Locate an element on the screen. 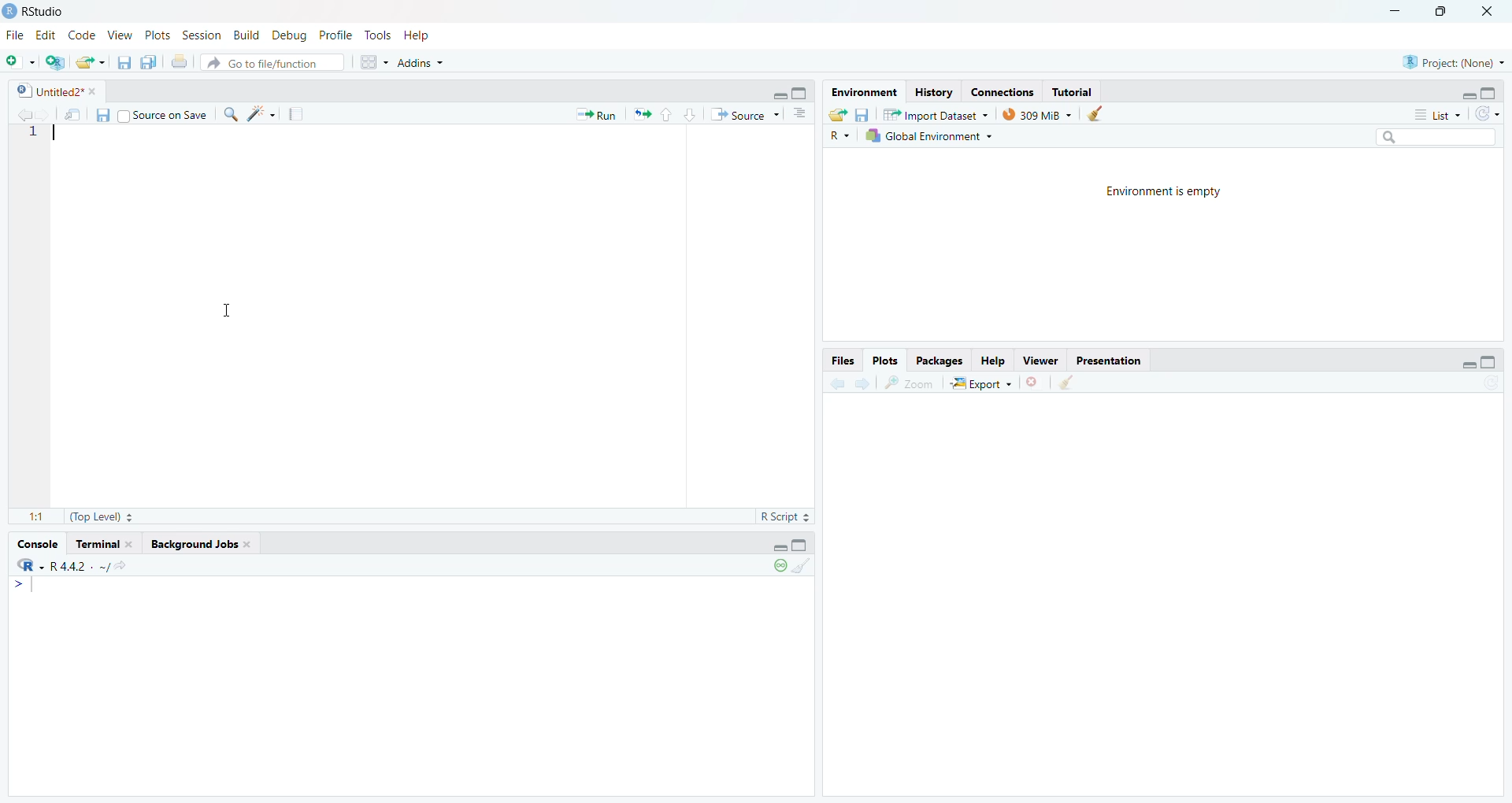  Viewer is located at coordinates (1042, 361).